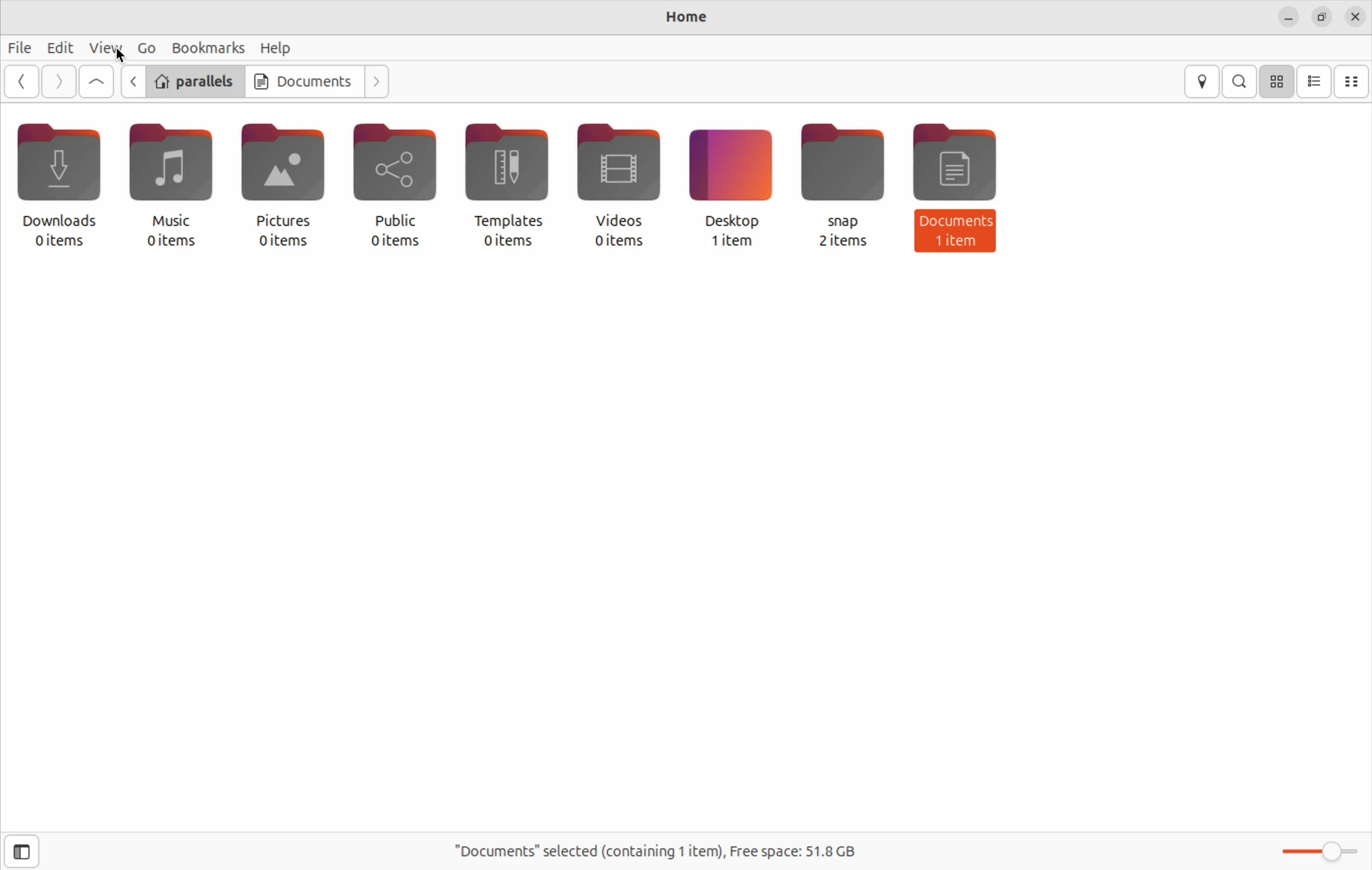  What do you see at coordinates (19, 48) in the screenshot?
I see `File` at bounding box center [19, 48].